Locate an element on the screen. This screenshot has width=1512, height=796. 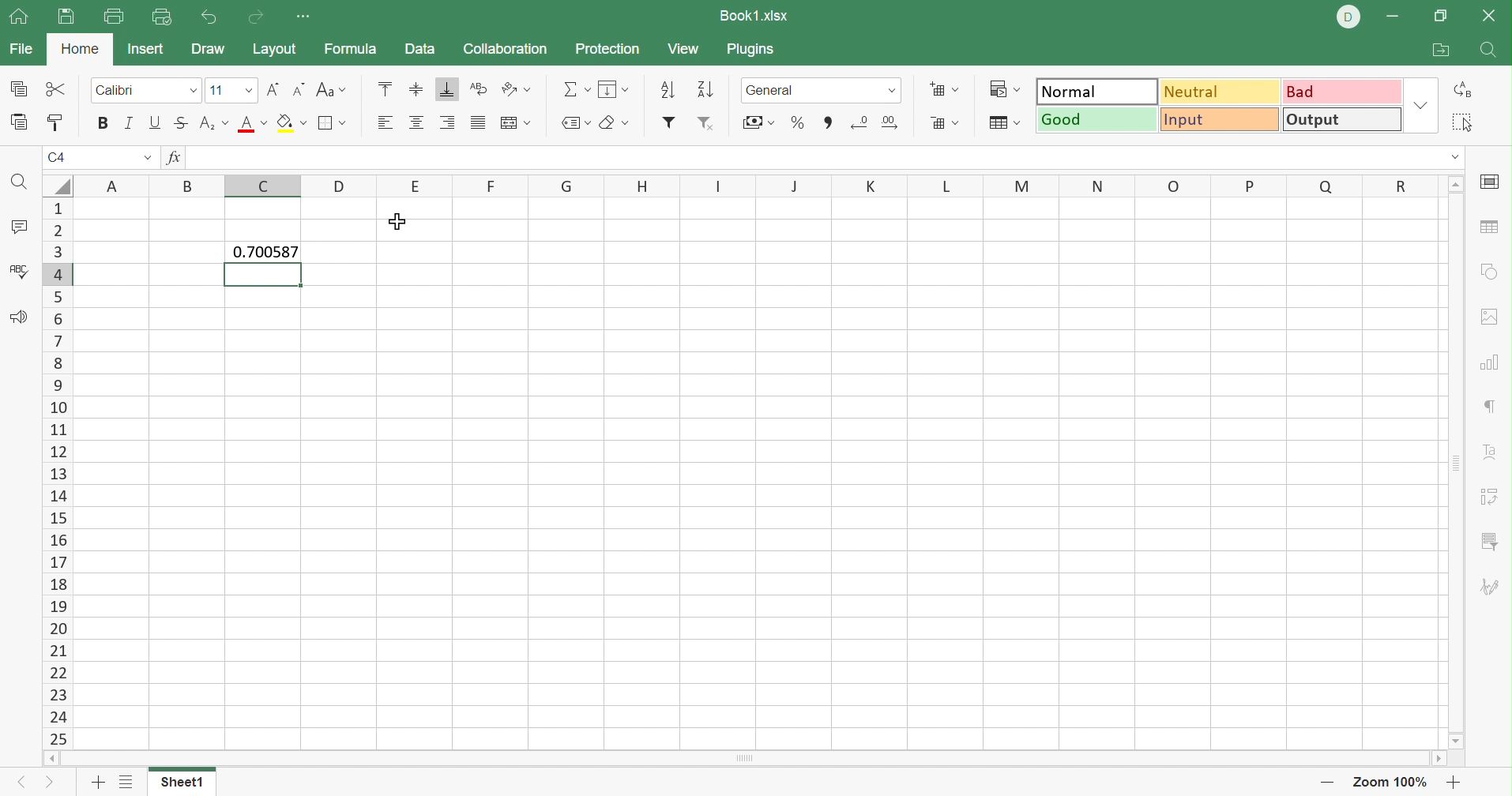
Font color is located at coordinates (254, 122).